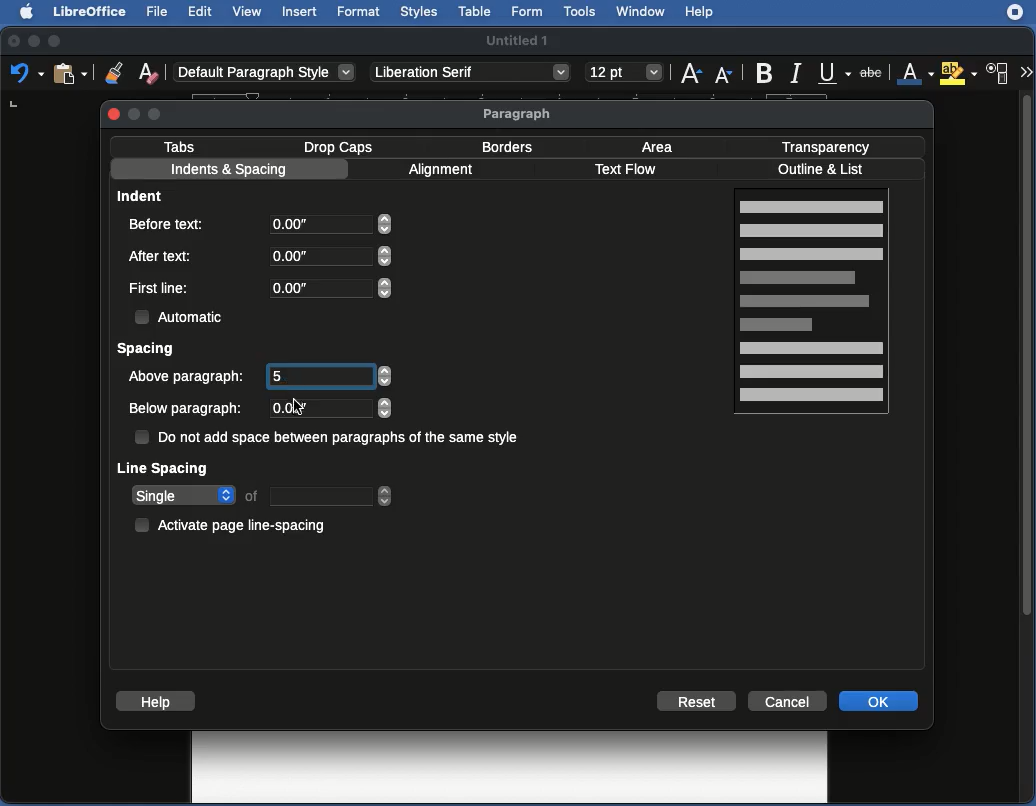 Image resolution: width=1036 pixels, height=806 pixels. I want to click on Underline, so click(834, 73).